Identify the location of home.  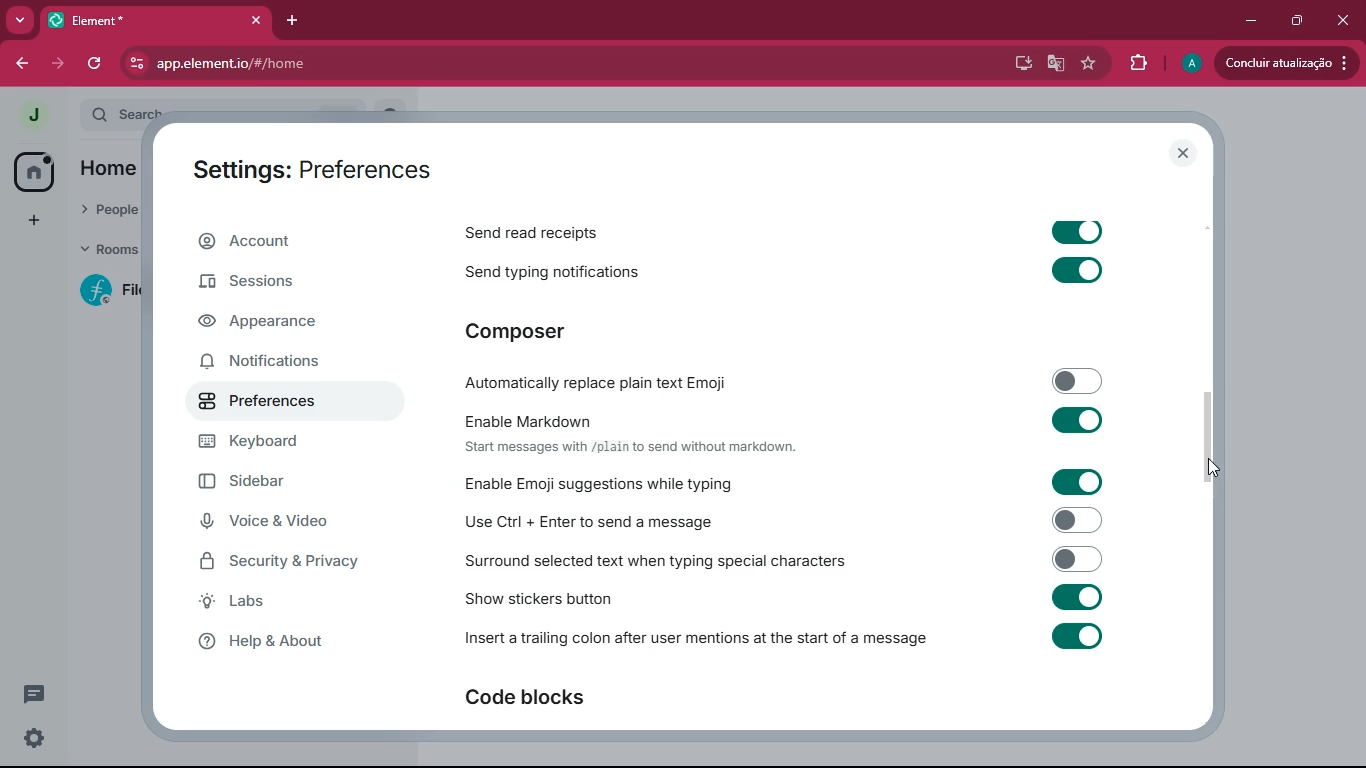
(32, 171).